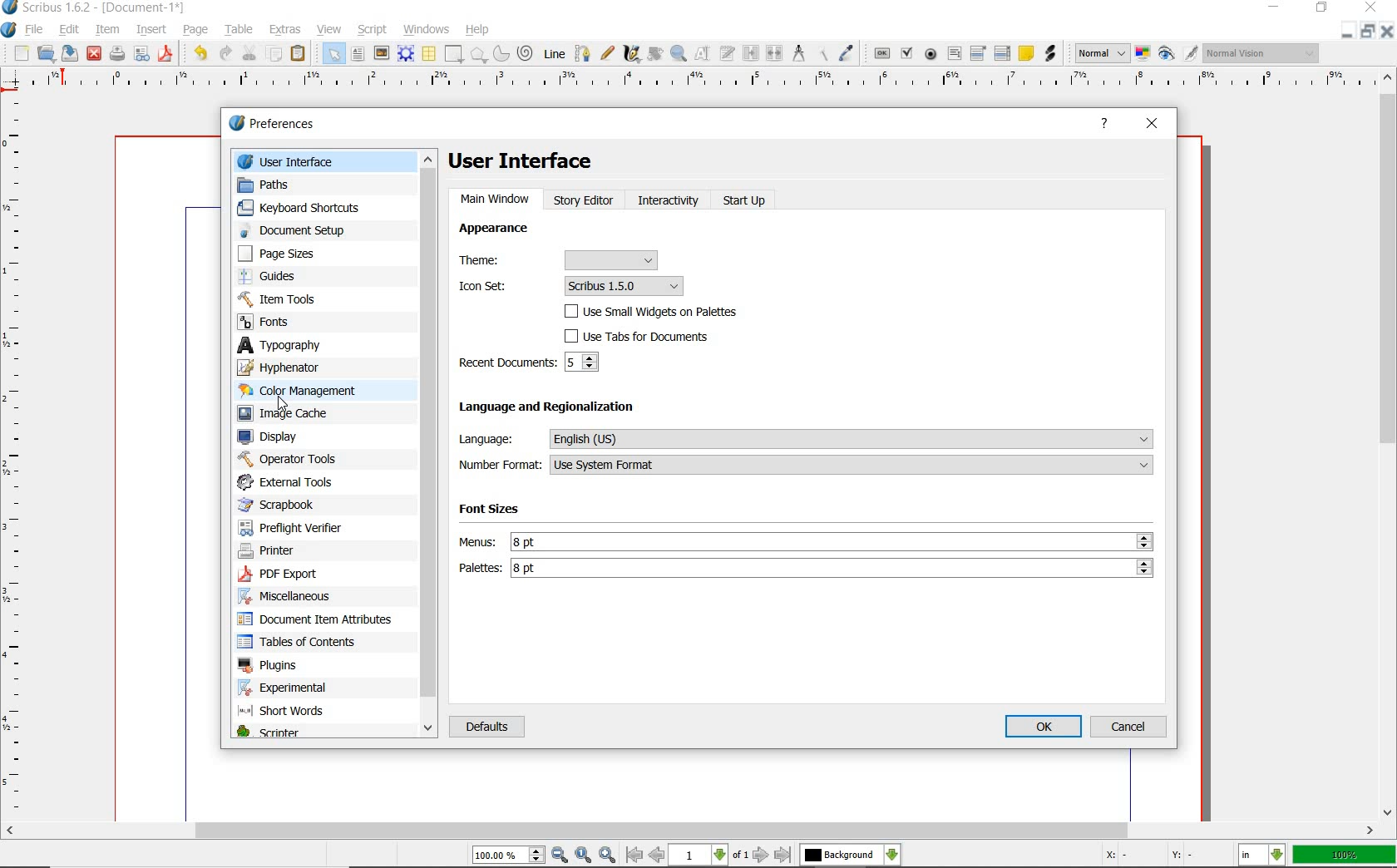  I want to click on USE SMALL WIDGETS ON PALETTES, so click(653, 311).